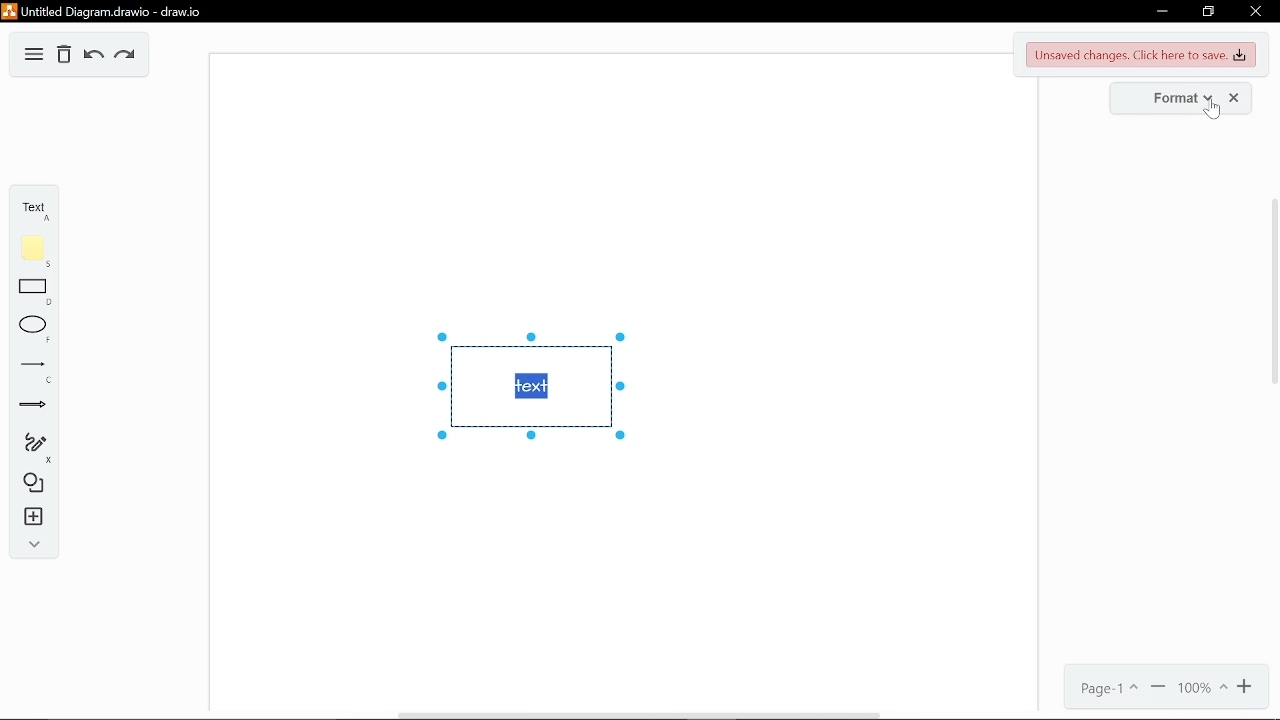 This screenshot has height=720, width=1280. What do you see at coordinates (30, 545) in the screenshot?
I see `collapse` at bounding box center [30, 545].